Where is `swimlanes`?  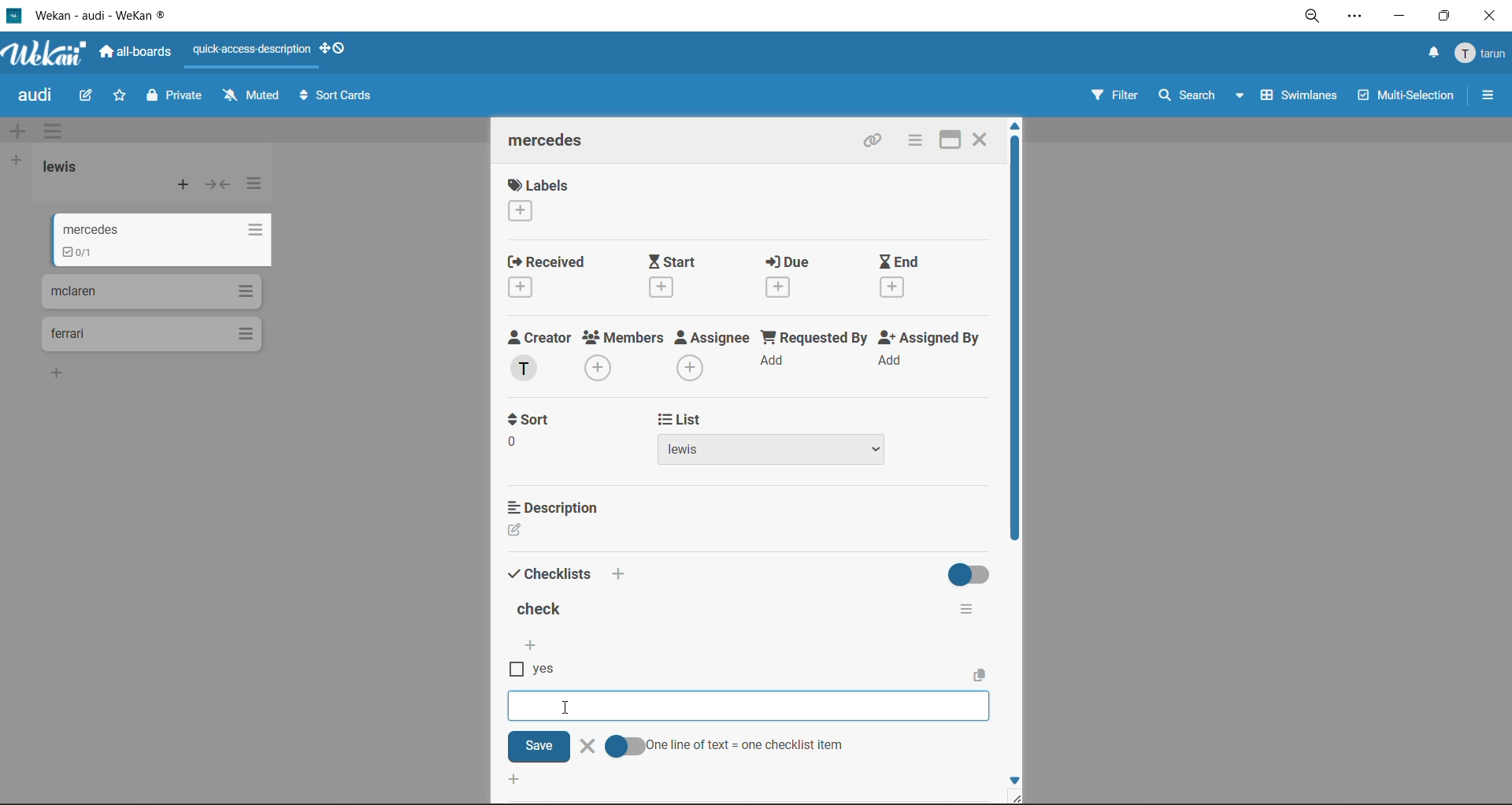
swimlanes is located at coordinates (1302, 98).